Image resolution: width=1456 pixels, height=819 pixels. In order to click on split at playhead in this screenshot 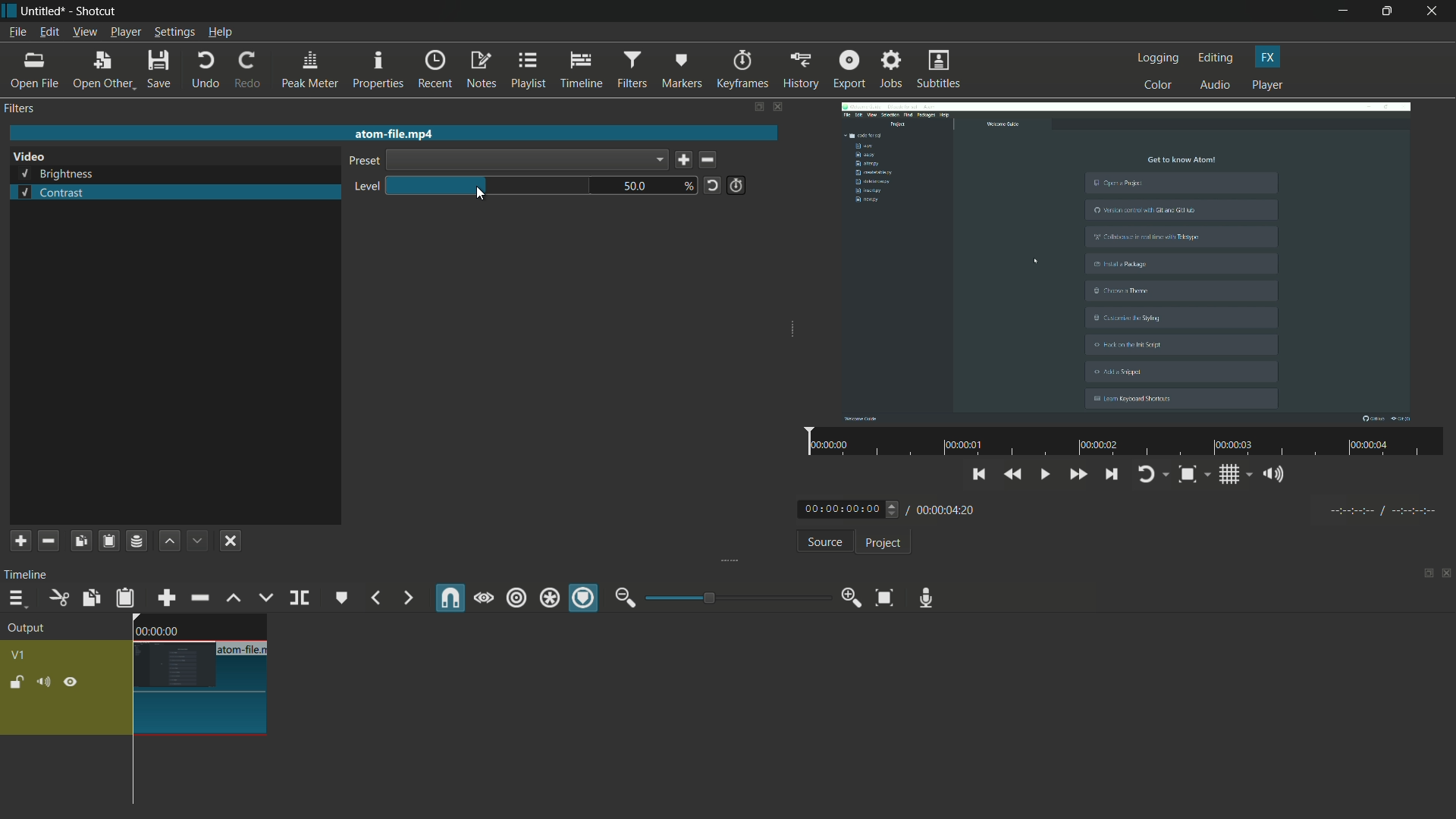, I will do `click(301, 599)`.